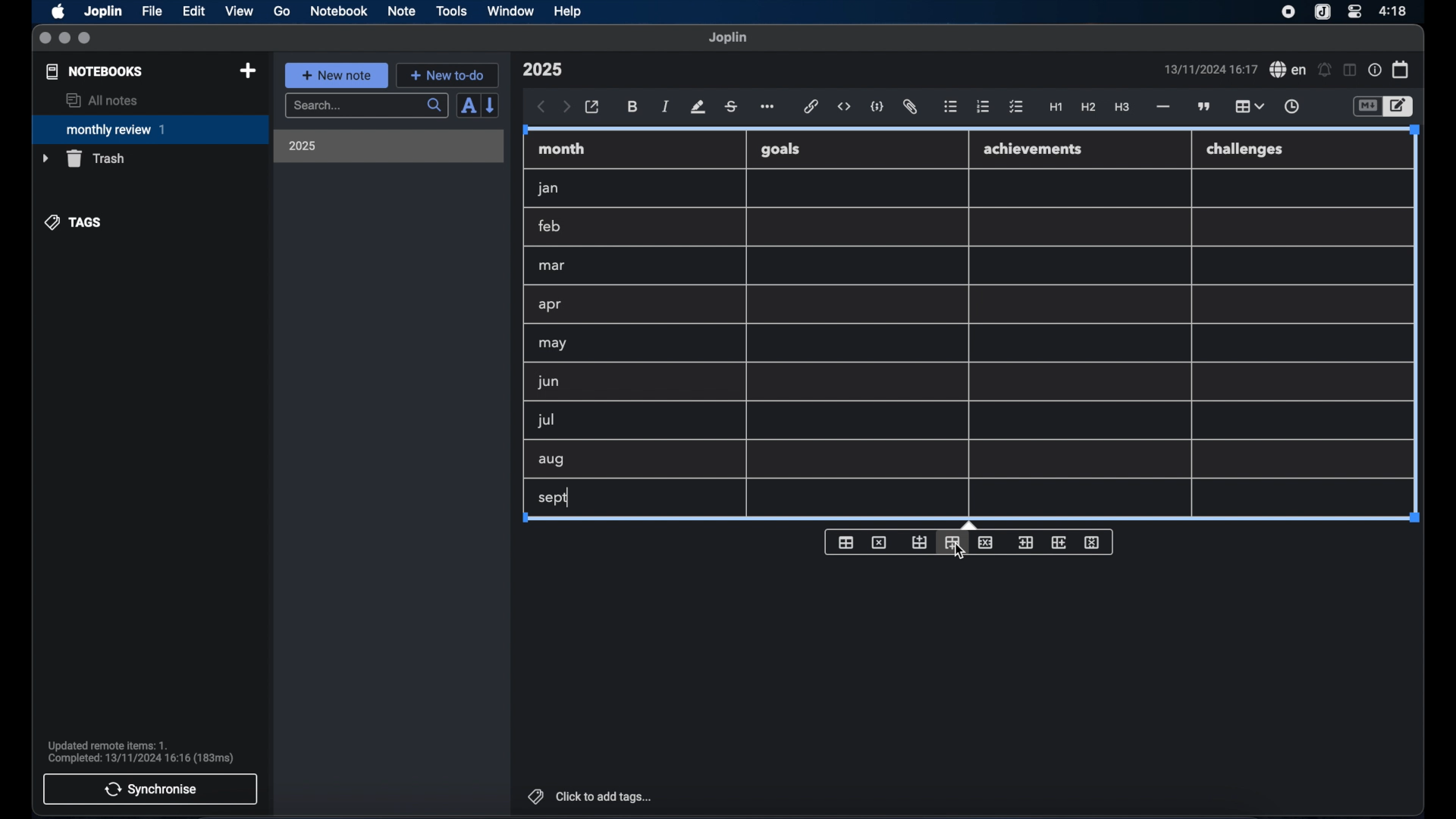 This screenshot has height=819, width=1456. I want to click on jul, so click(544, 421).